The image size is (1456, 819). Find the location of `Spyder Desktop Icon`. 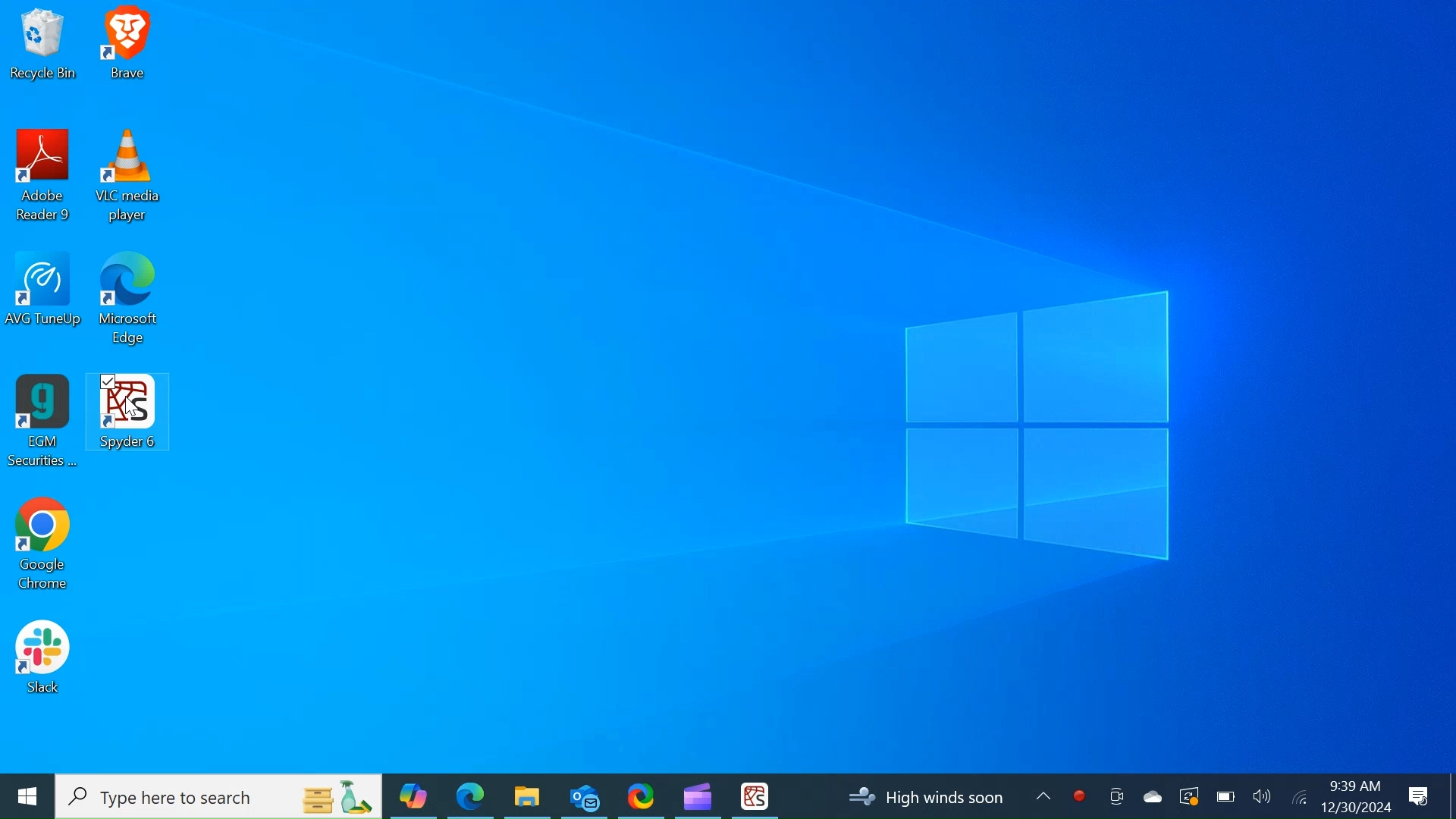

Spyder Desktop Icon is located at coordinates (128, 414).